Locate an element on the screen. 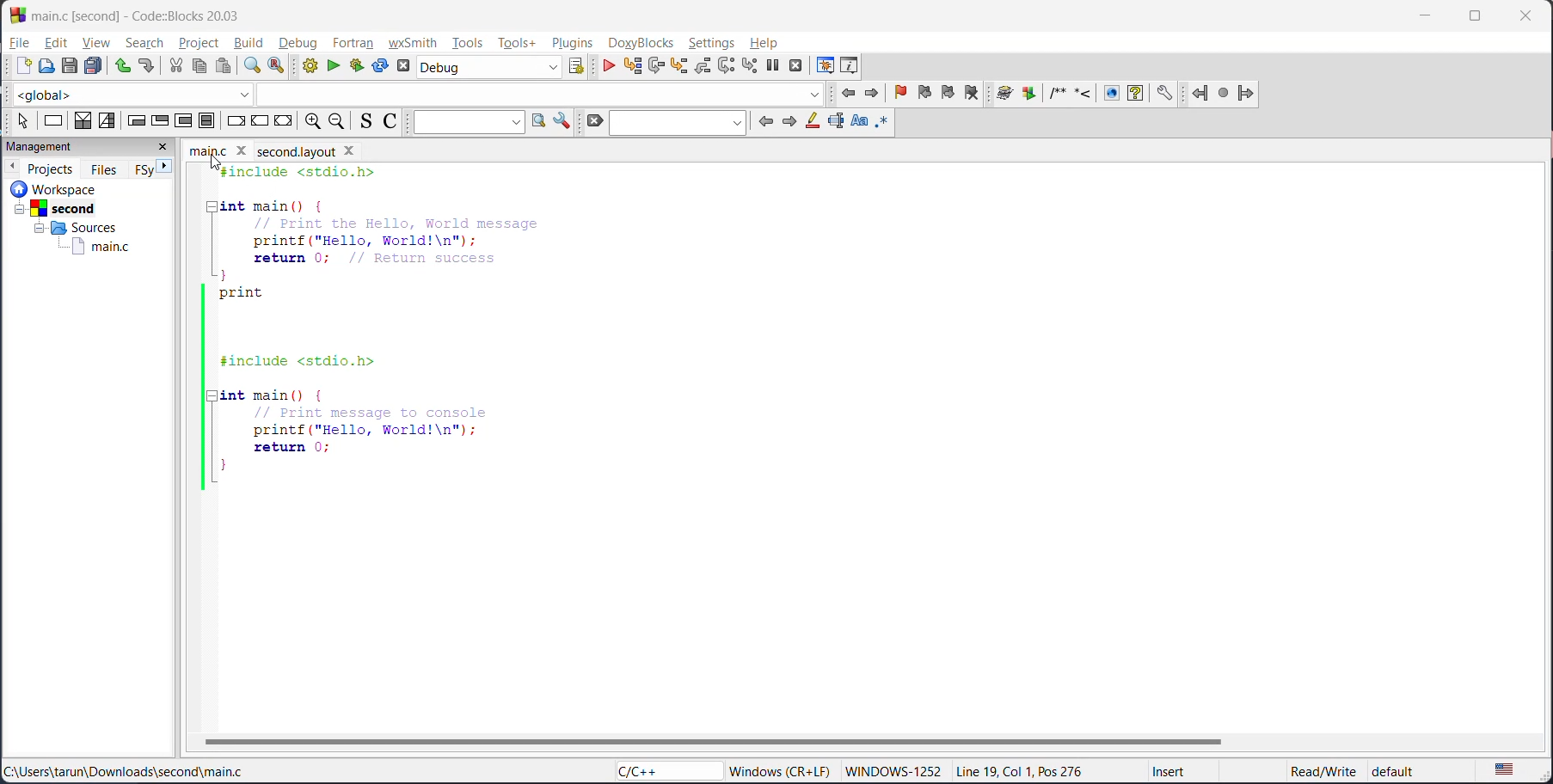  projects is located at coordinates (51, 167).